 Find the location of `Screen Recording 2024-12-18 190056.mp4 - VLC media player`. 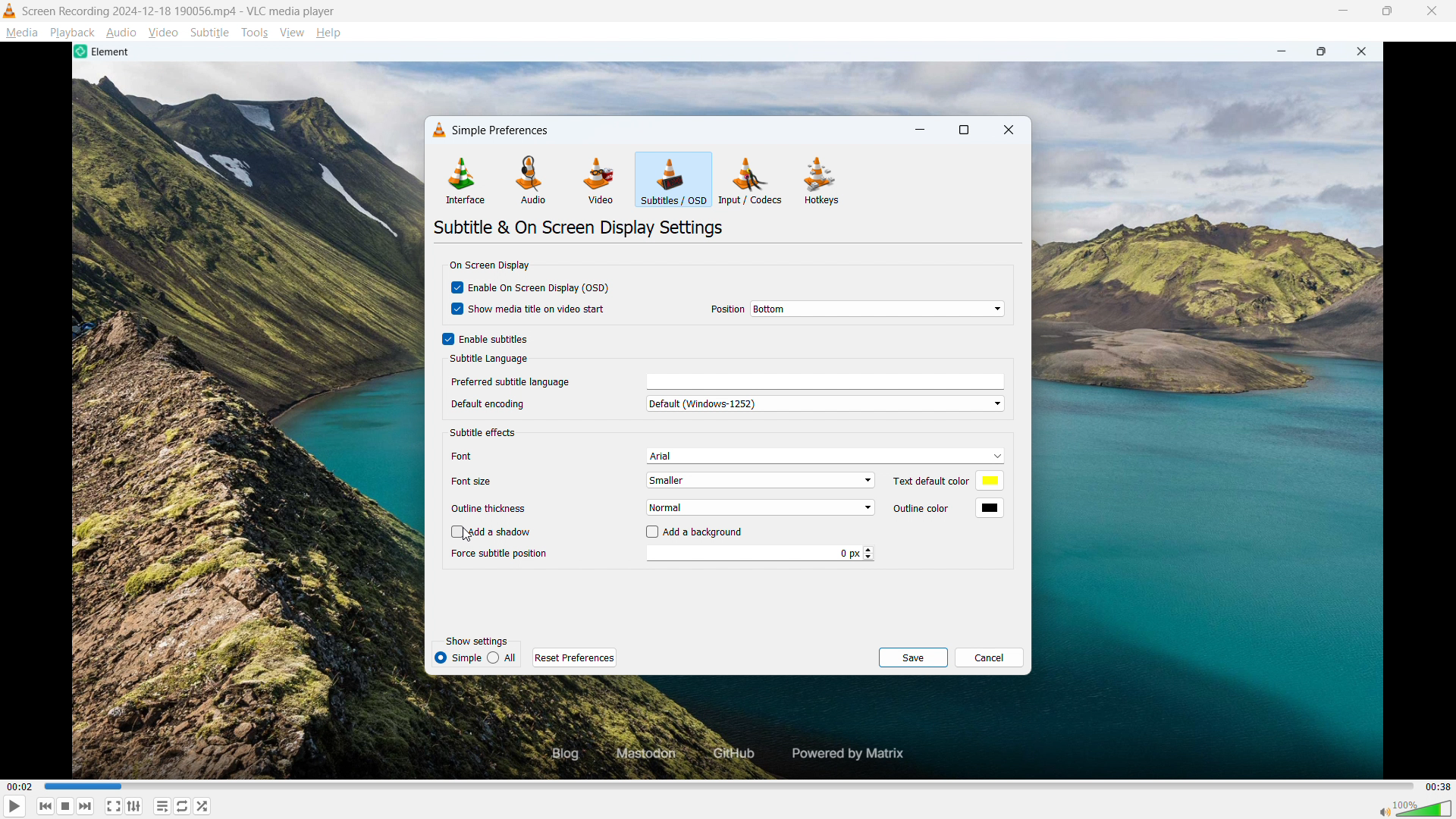

Screen Recording 2024-12-18 190056.mp4 - VLC media player is located at coordinates (180, 11).